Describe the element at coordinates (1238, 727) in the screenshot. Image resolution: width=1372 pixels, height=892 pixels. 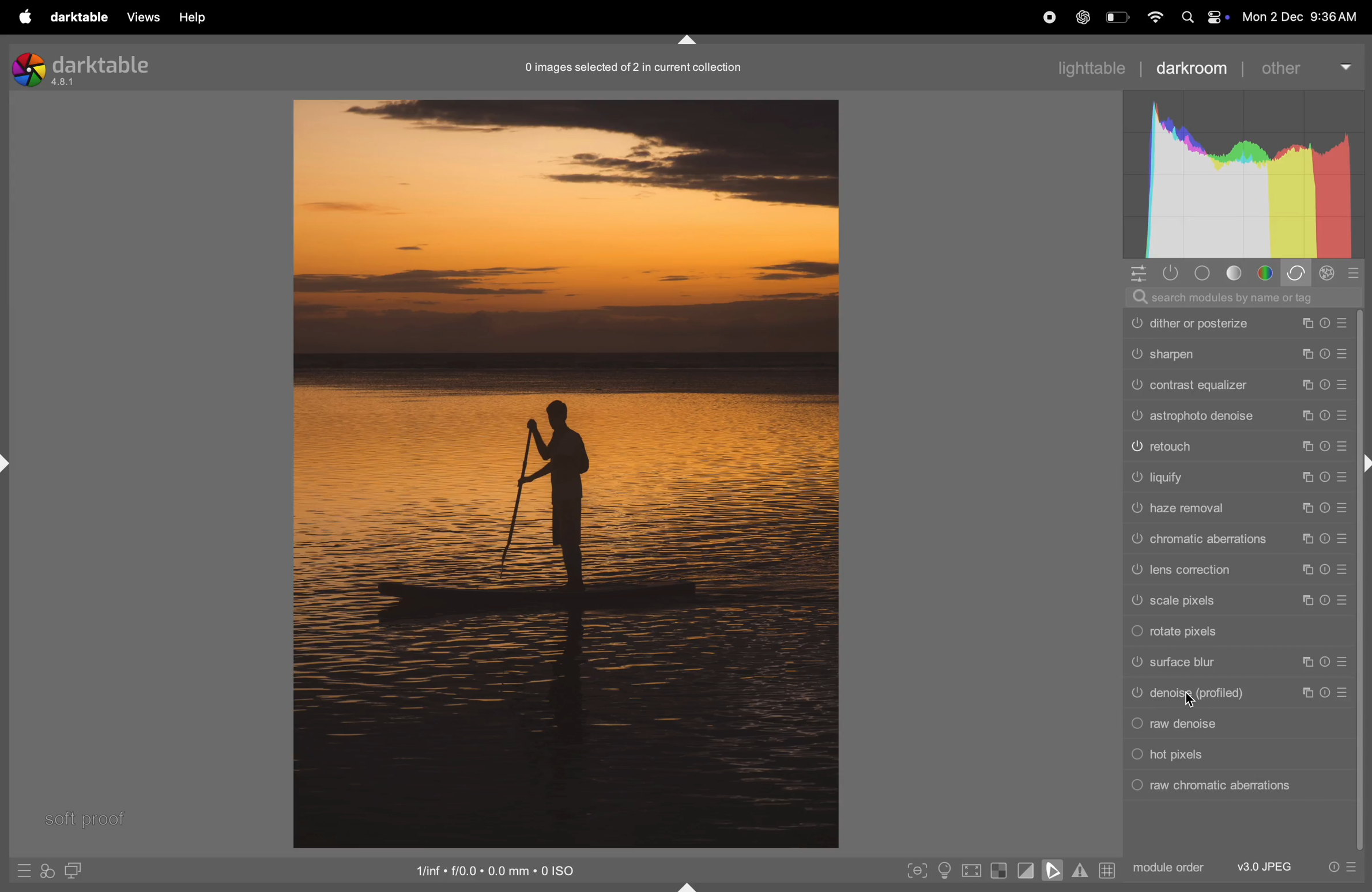
I see `eaw denoise` at that location.